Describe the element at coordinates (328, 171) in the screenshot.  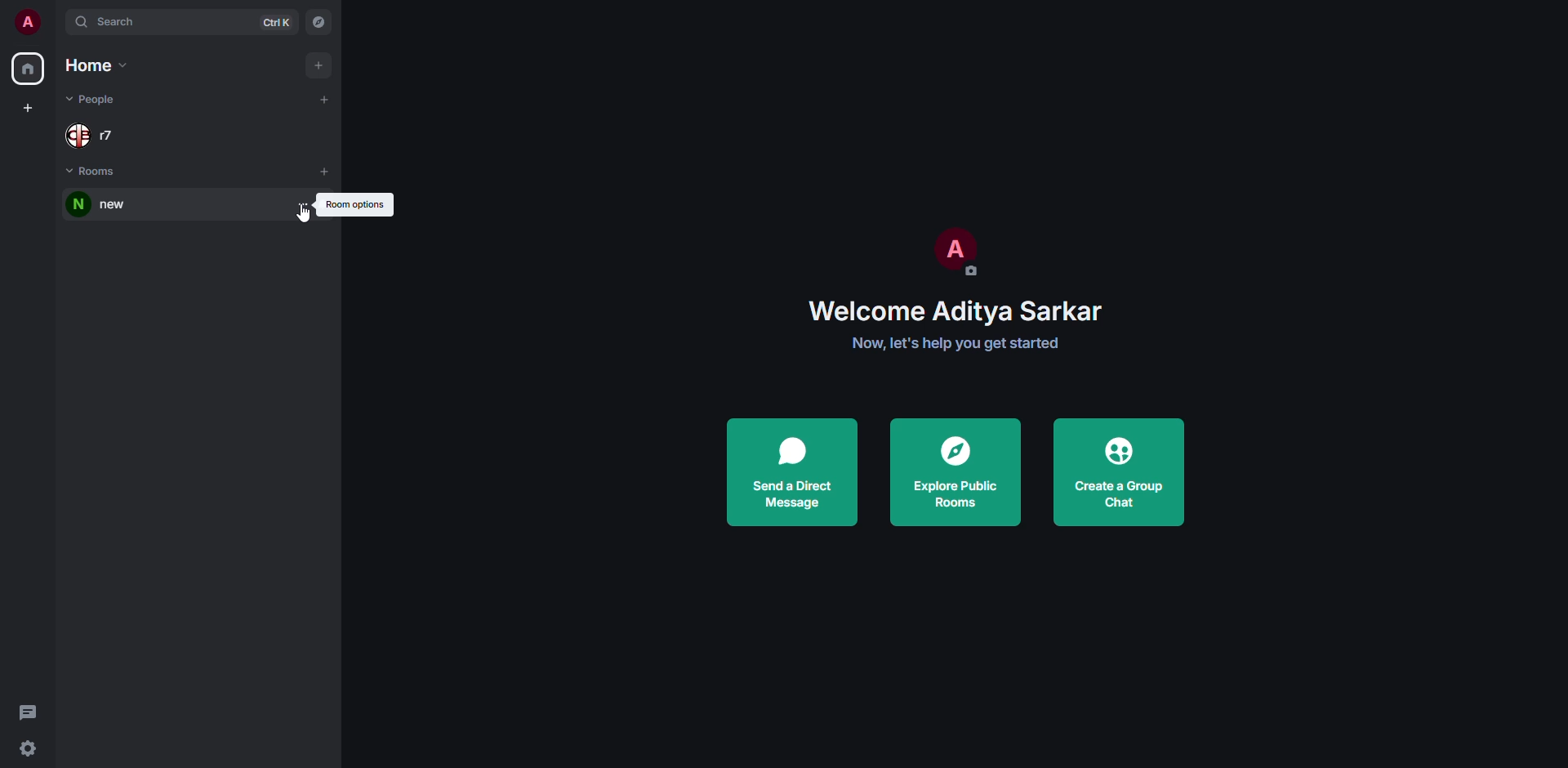
I see `add` at that location.